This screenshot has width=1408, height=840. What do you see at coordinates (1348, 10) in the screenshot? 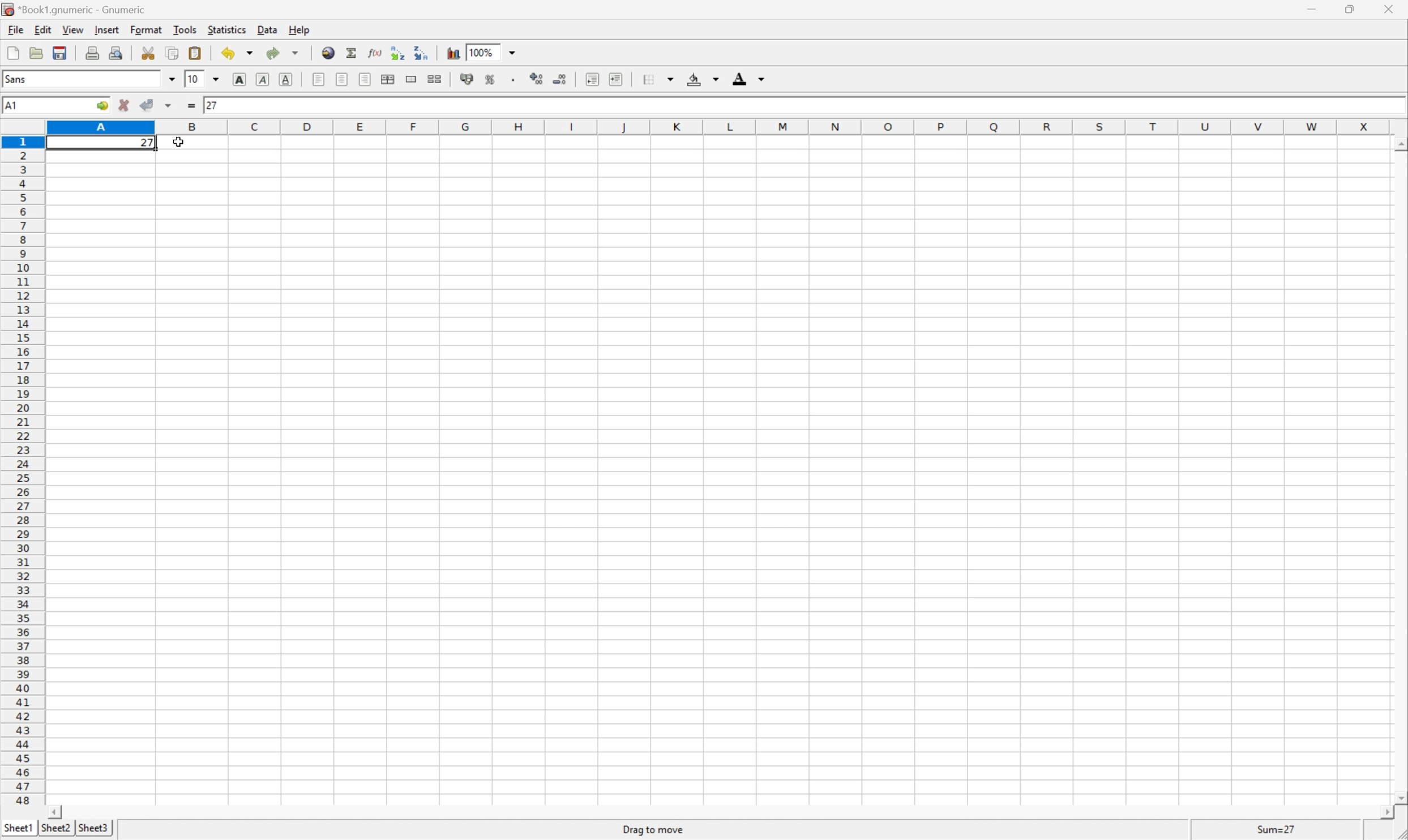
I see `Restore Down` at bounding box center [1348, 10].